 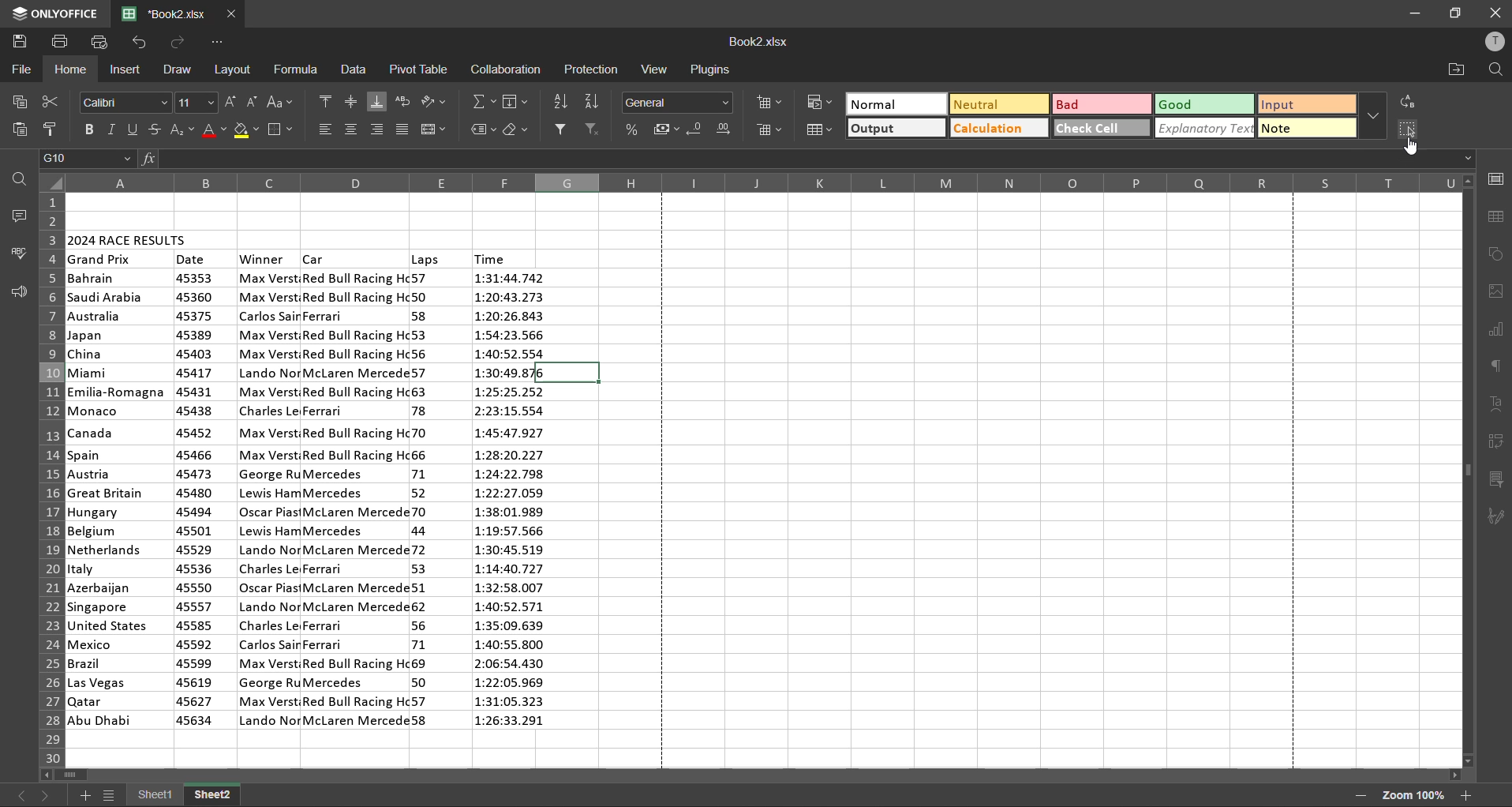 What do you see at coordinates (483, 102) in the screenshot?
I see `summation` at bounding box center [483, 102].